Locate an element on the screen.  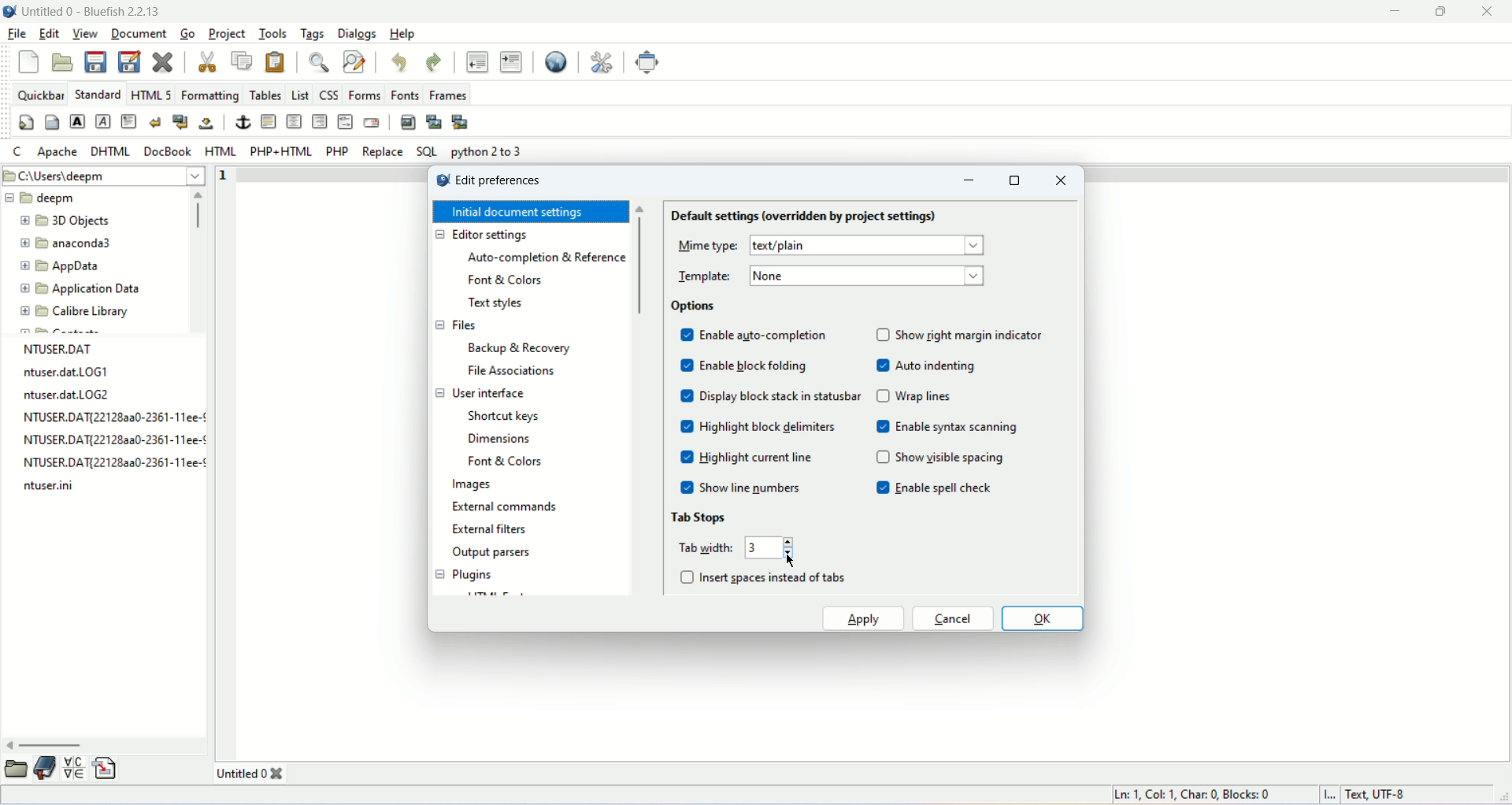
tags is located at coordinates (313, 33).